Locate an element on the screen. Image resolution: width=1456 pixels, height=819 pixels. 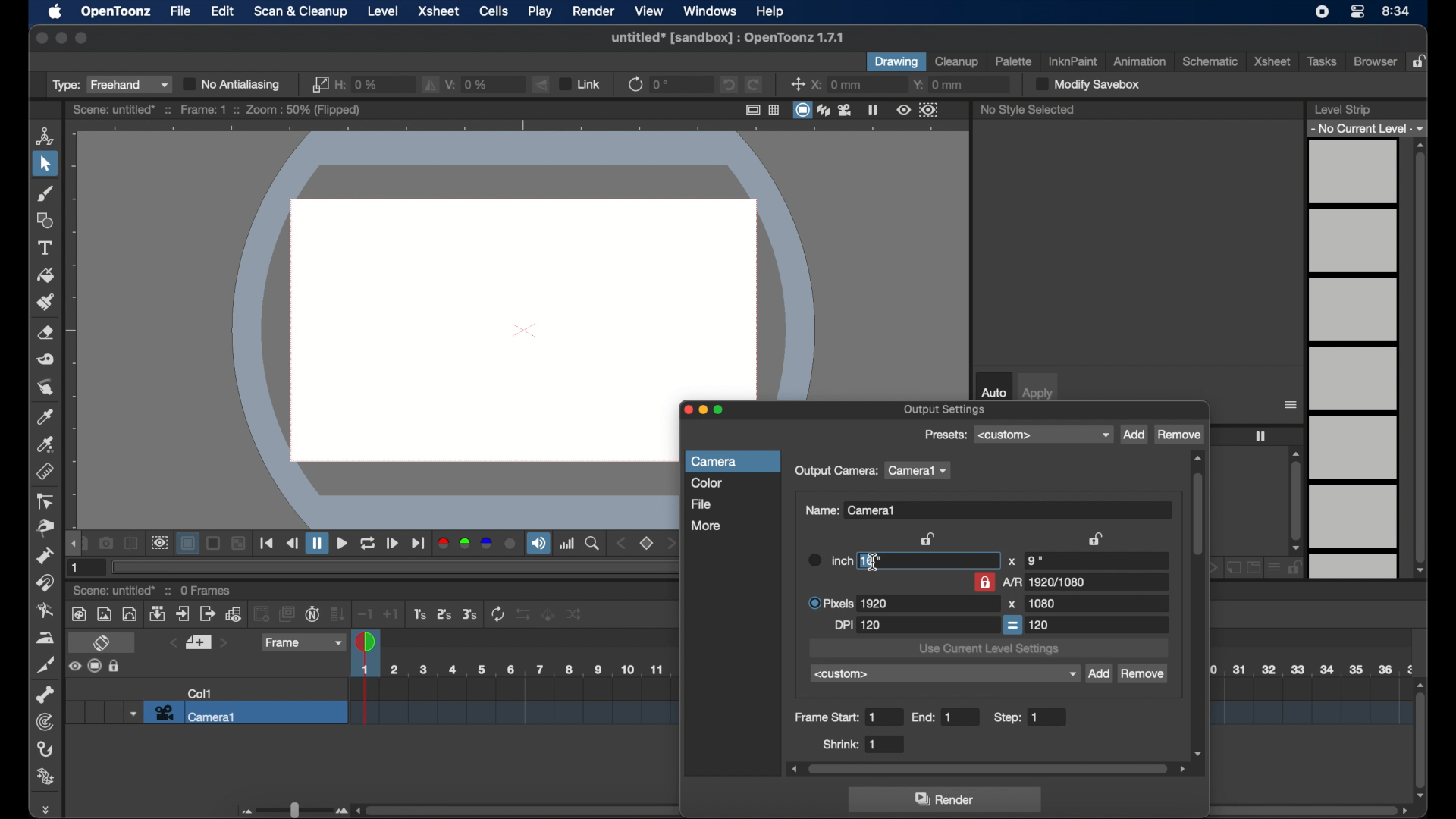
more options is located at coordinates (1291, 405).